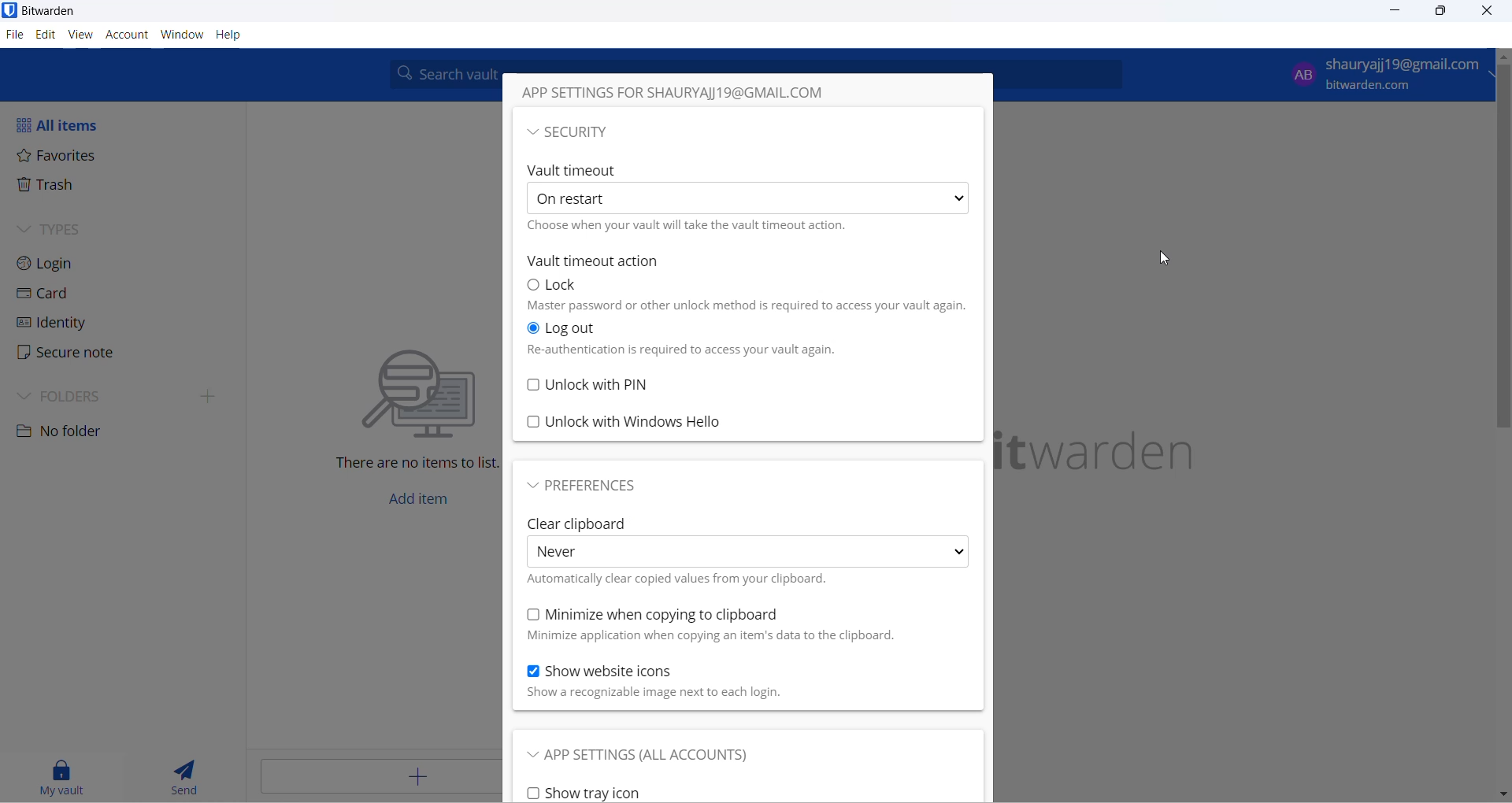 The image size is (1512, 803). I want to click on unlock with PIN checkbox, so click(745, 382).